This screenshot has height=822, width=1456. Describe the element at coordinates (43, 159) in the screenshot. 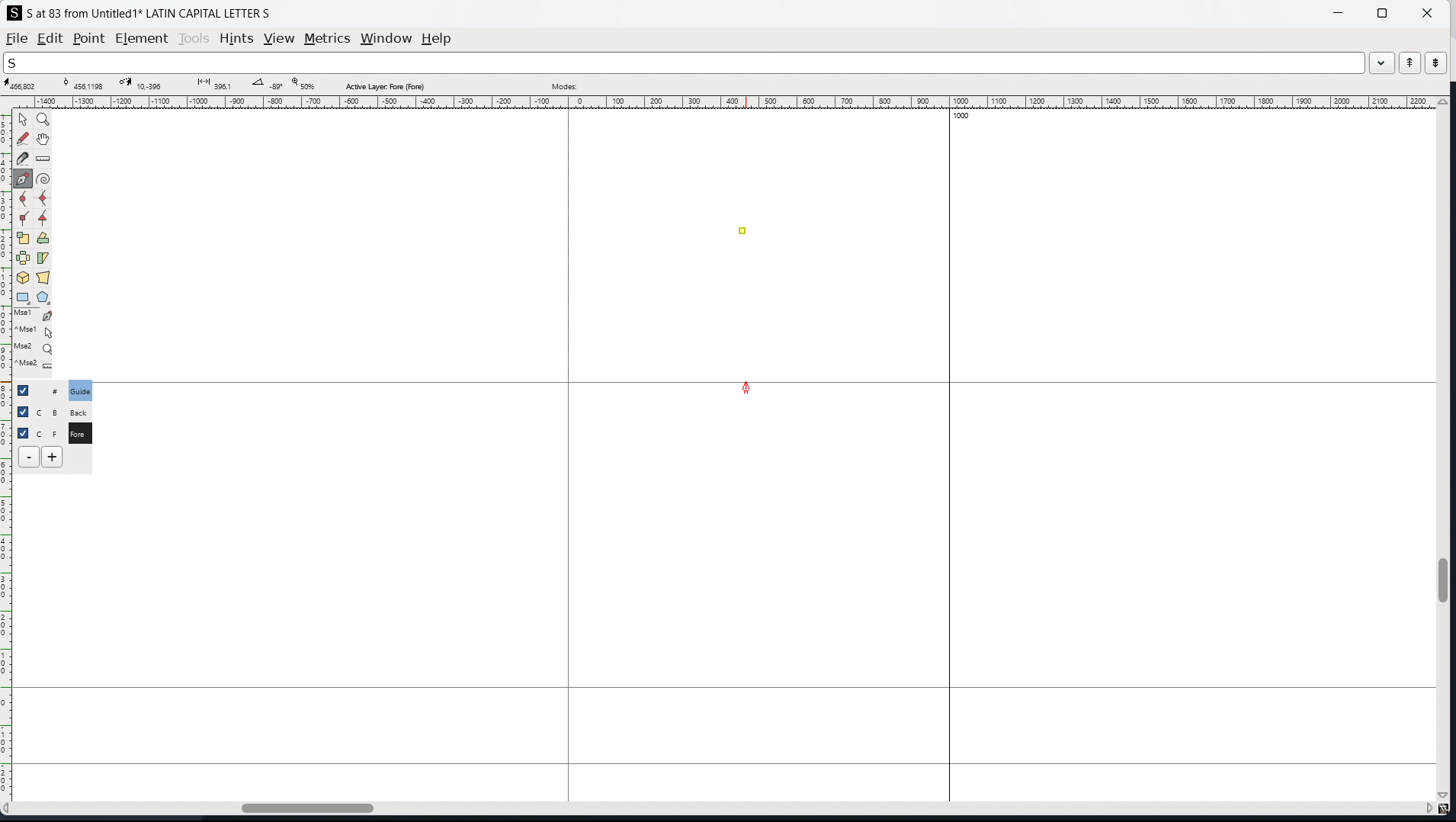

I see `measure distance, angle between two points` at that location.